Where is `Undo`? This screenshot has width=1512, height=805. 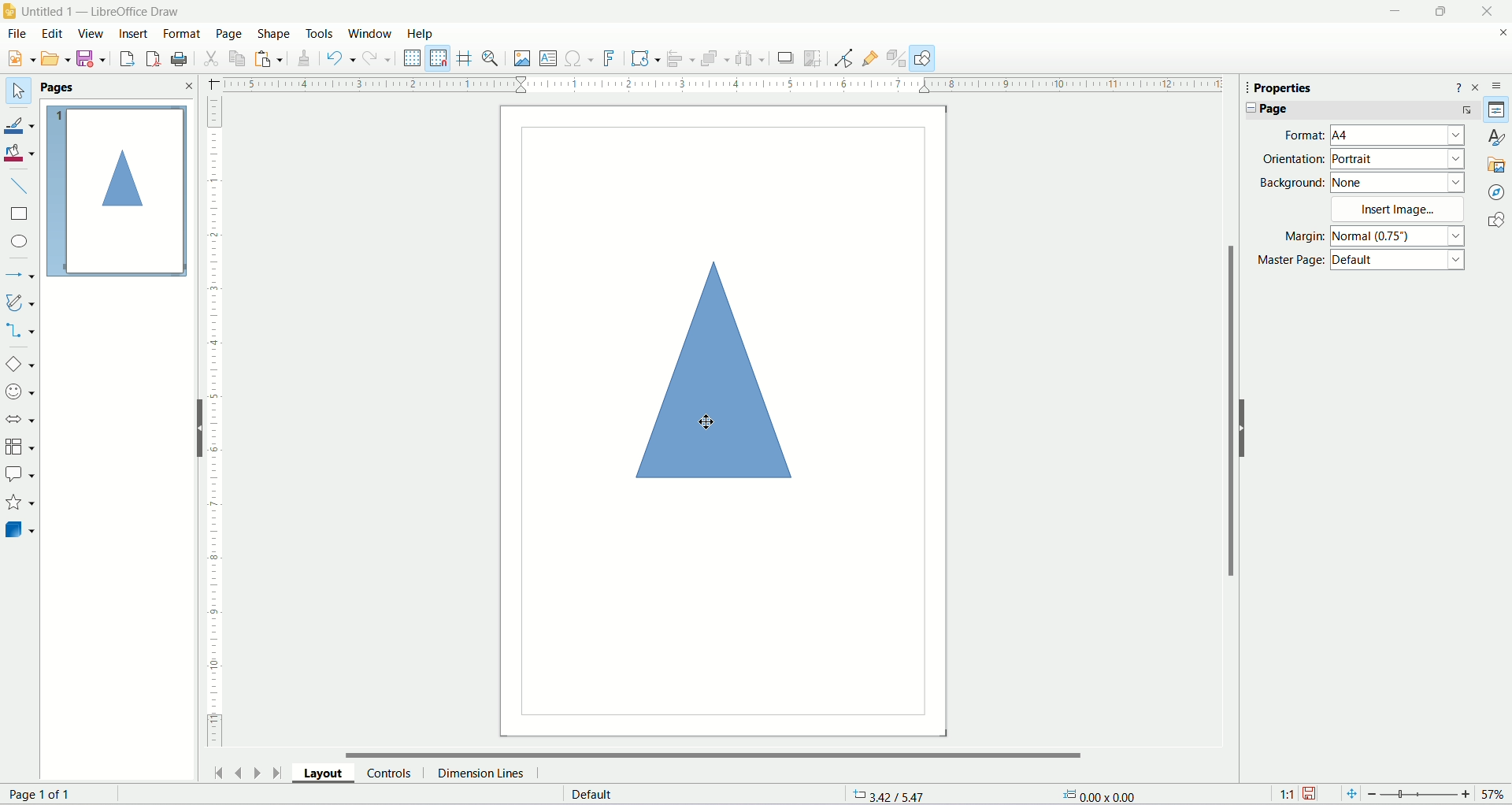 Undo is located at coordinates (341, 57).